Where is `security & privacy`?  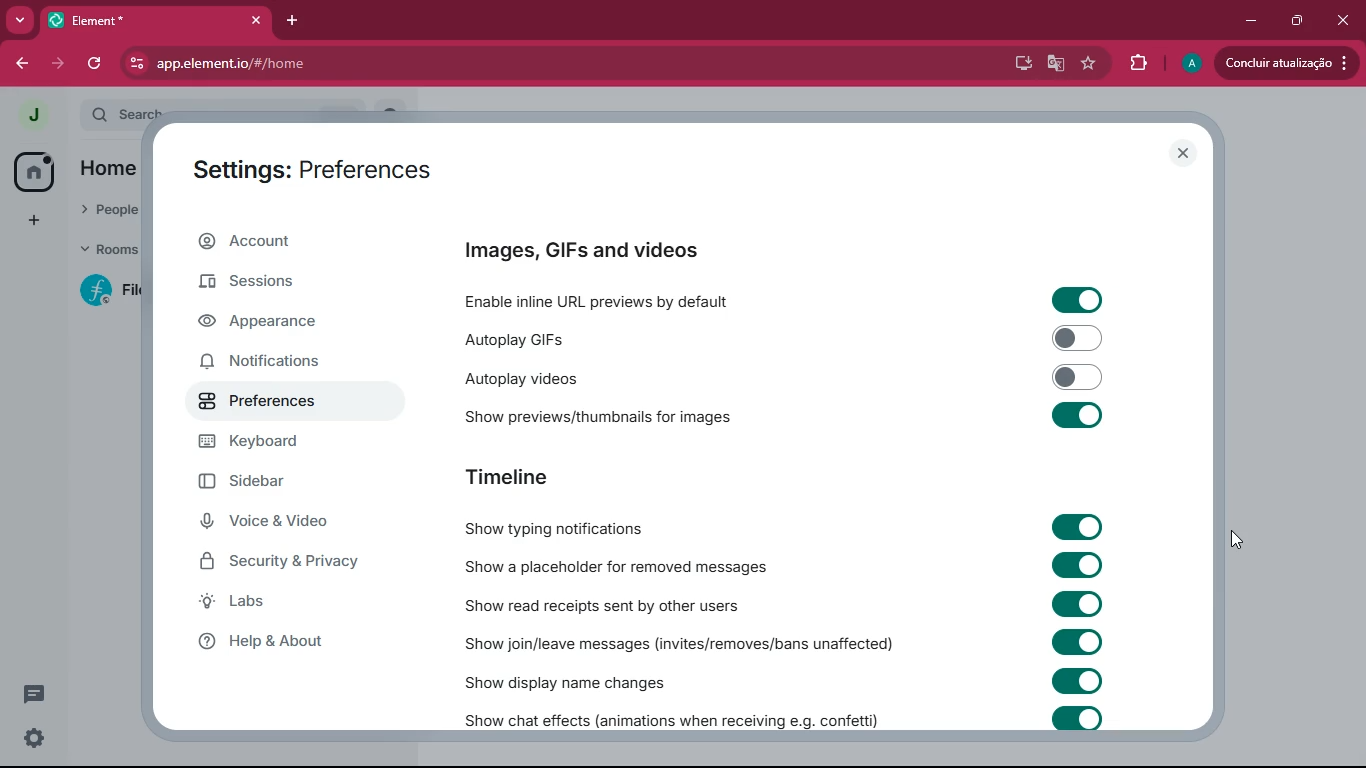 security & privacy is located at coordinates (283, 562).